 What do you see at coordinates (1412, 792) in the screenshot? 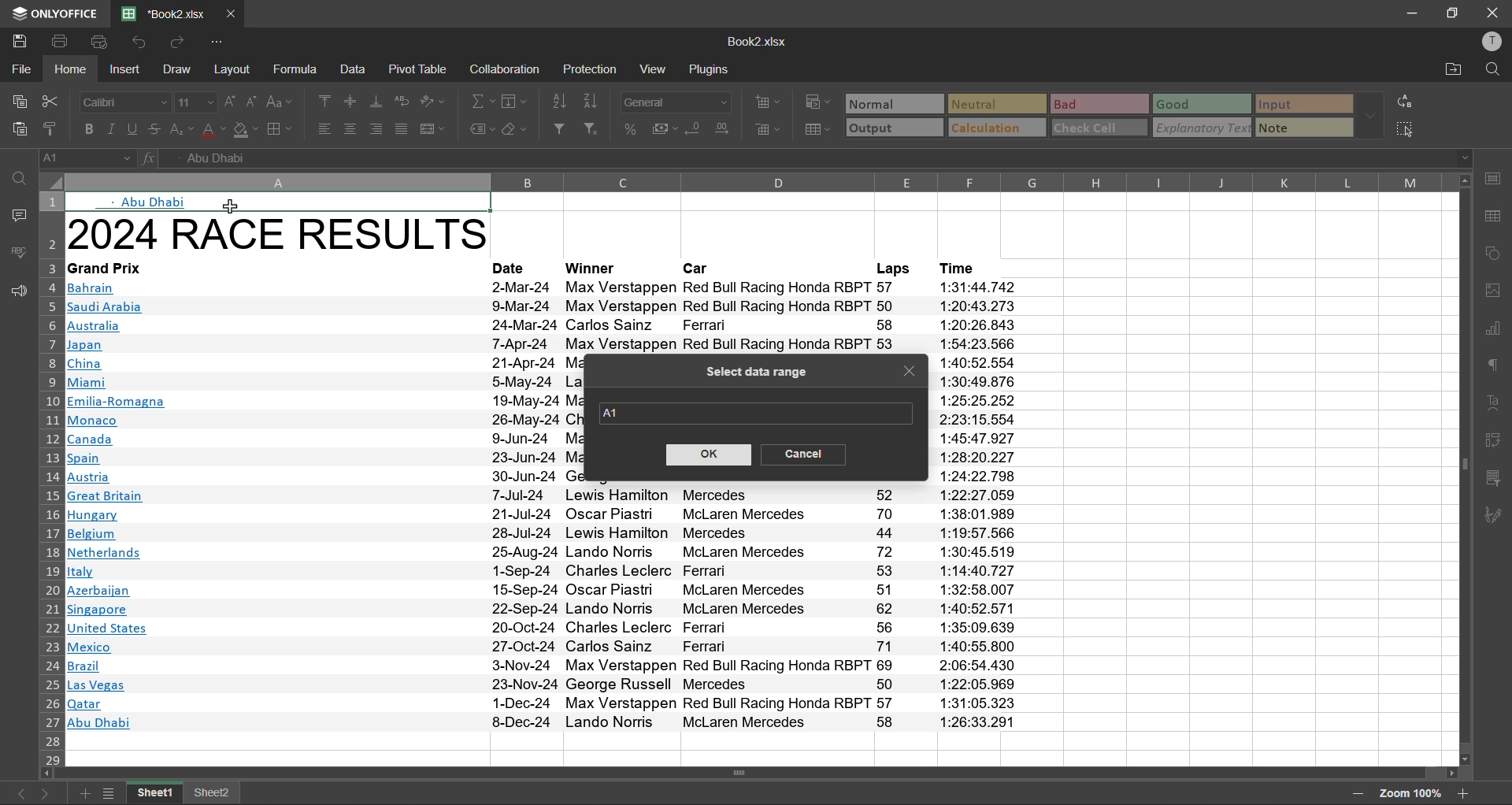
I see `zoom factor` at bounding box center [1412, 792].